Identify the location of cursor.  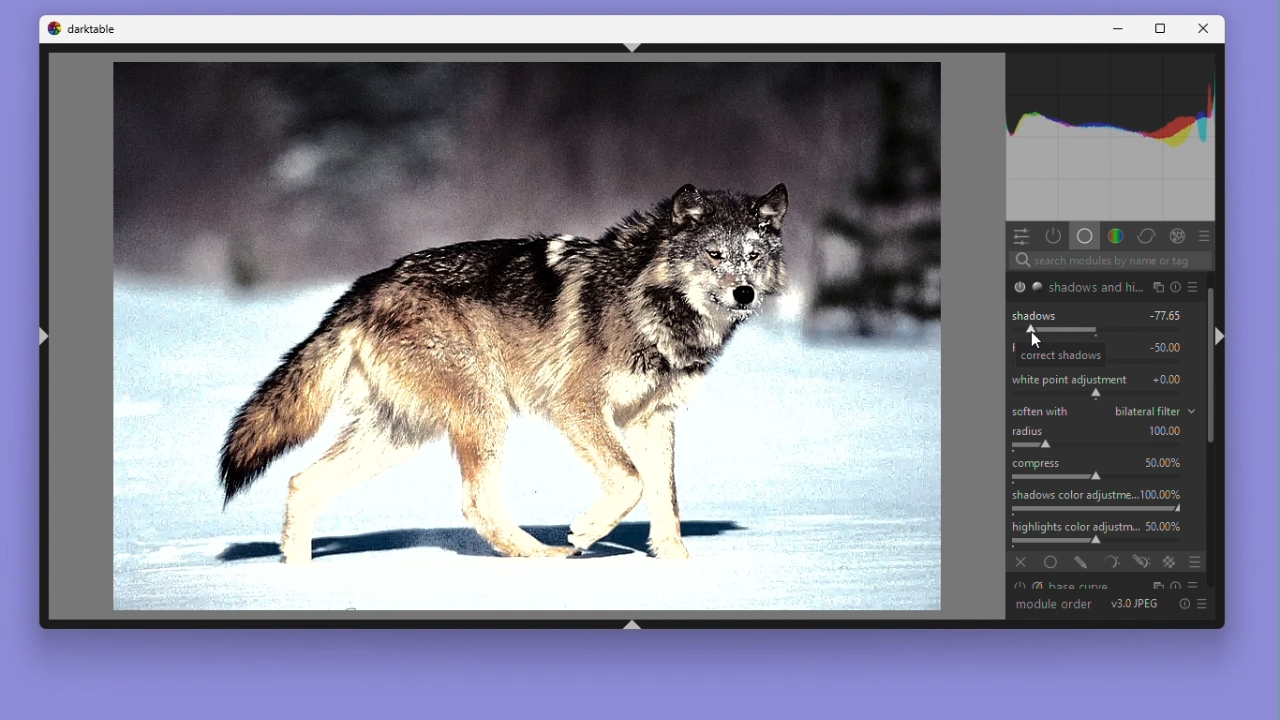
(1036, 343).